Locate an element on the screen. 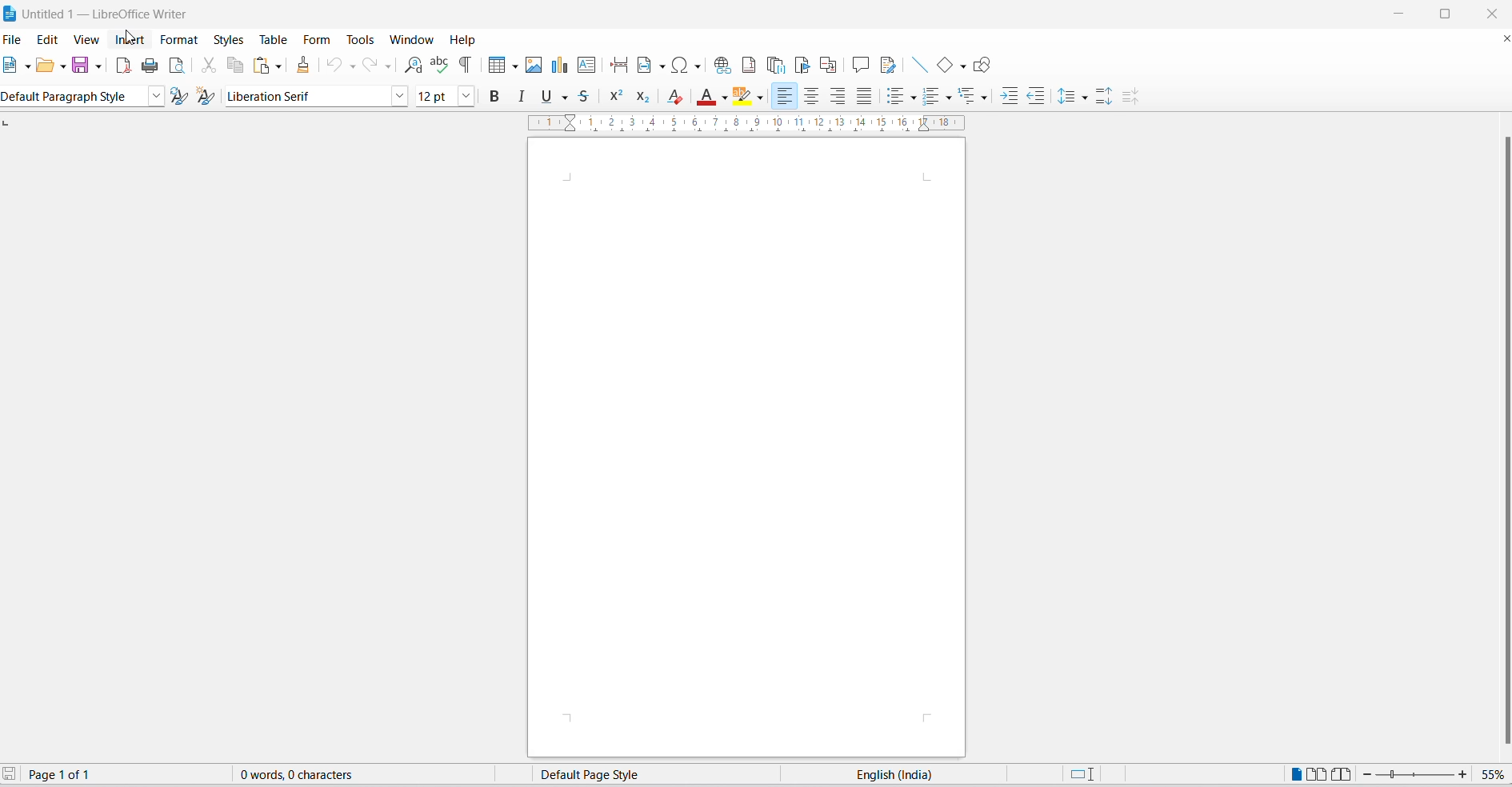 This screenshot has height=787, width=1512. 0 words, 0 characters is located at coordinates (311, 776).